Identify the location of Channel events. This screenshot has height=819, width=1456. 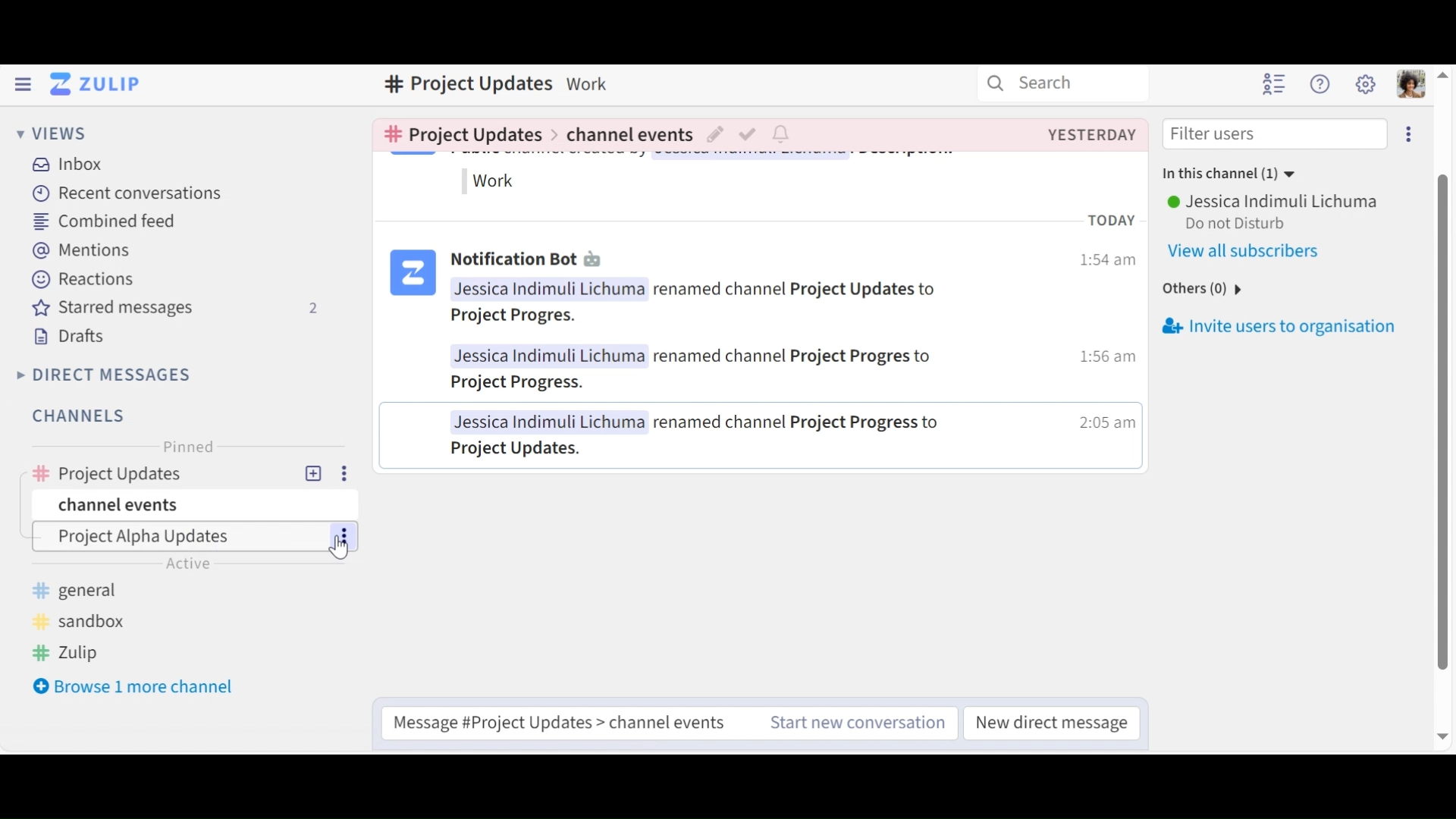
(626, 138).